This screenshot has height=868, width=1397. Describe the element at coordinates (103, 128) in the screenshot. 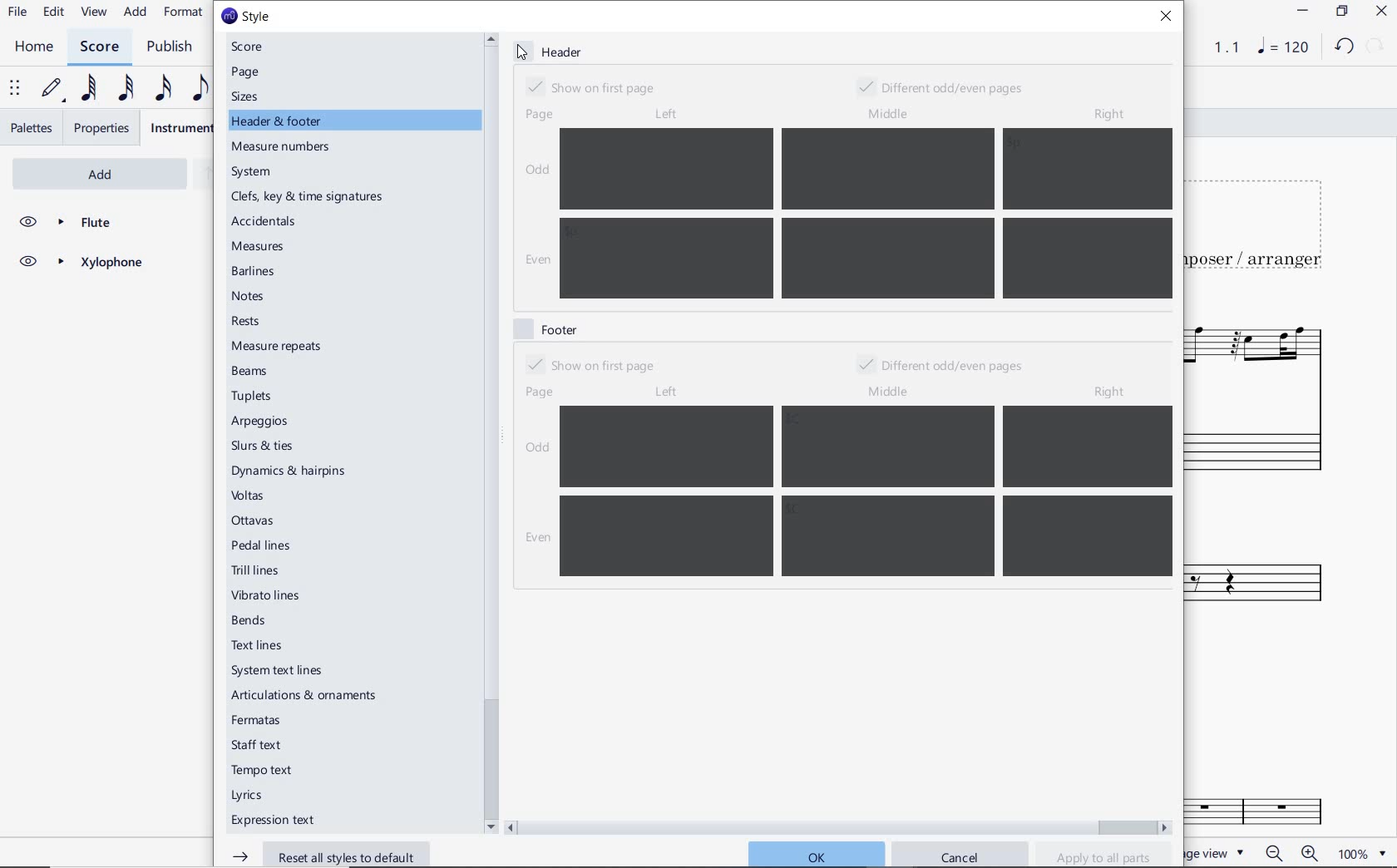

I see `PROPERTIES` at that location.